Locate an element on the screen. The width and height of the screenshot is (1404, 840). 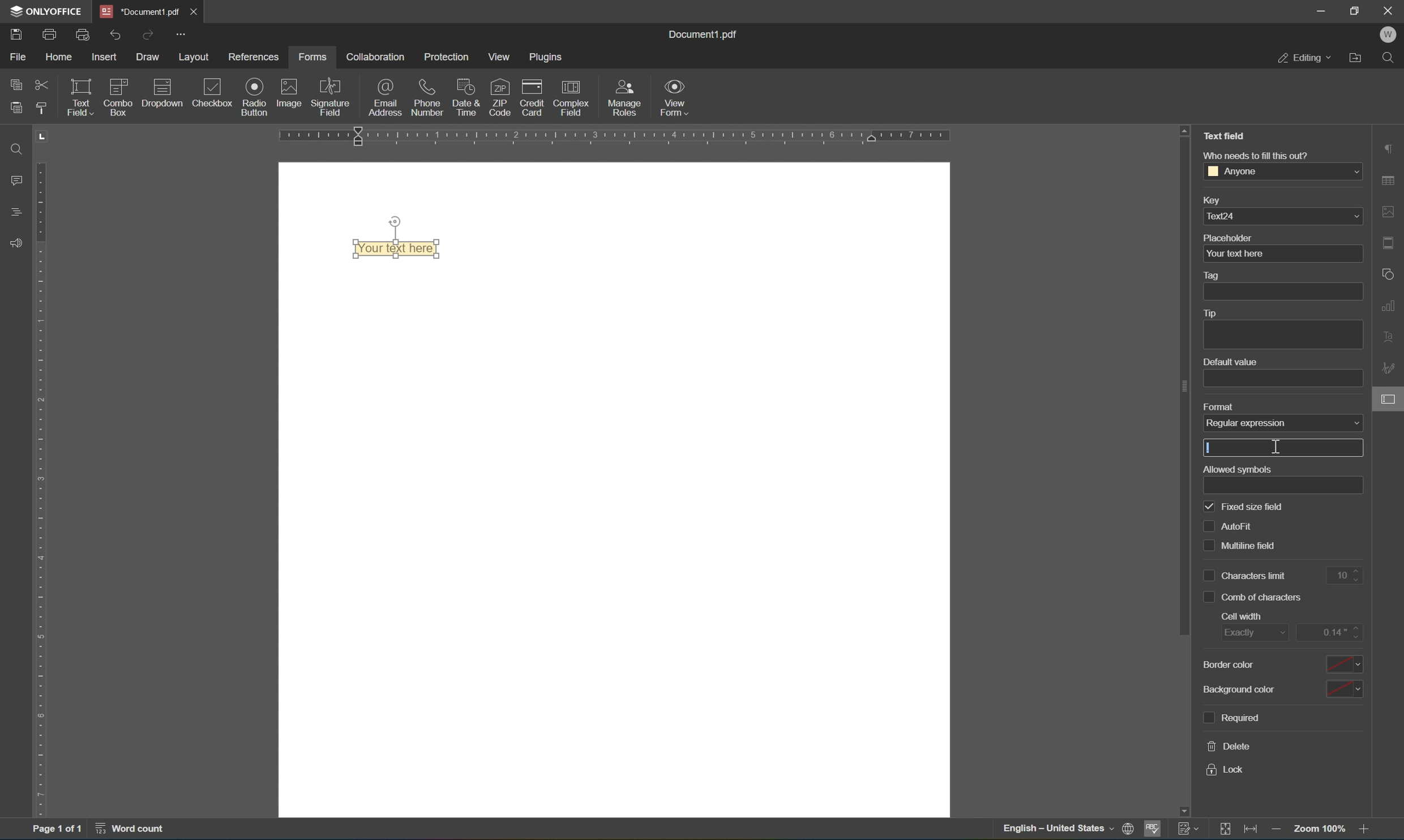
customize quick access toolbar is located at coordinates (179, 33).